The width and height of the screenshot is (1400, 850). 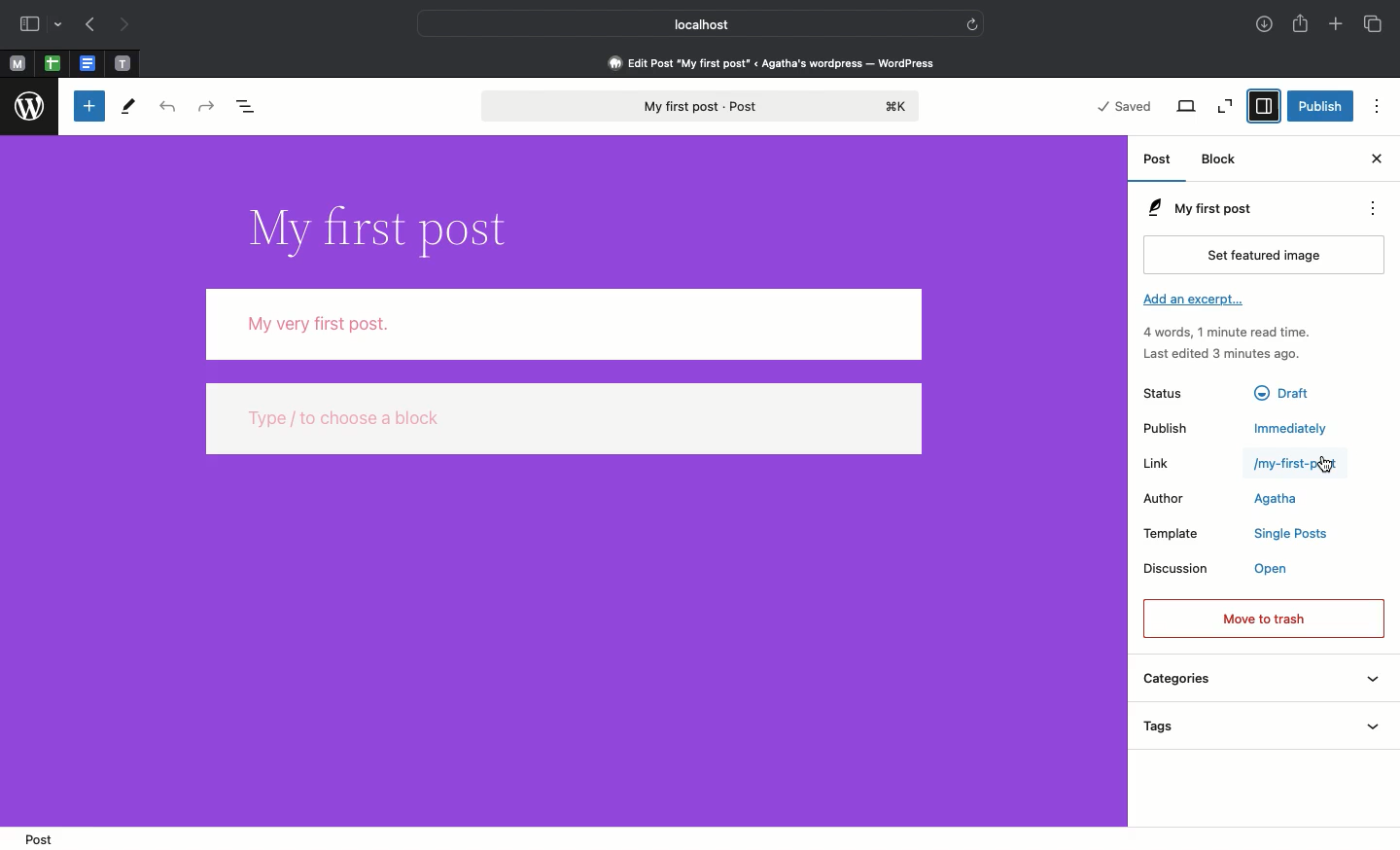 What do you see at coordinates (1227, 108) in the screenshot?
I see `Zoom out` at bounding box center [1227, 108].